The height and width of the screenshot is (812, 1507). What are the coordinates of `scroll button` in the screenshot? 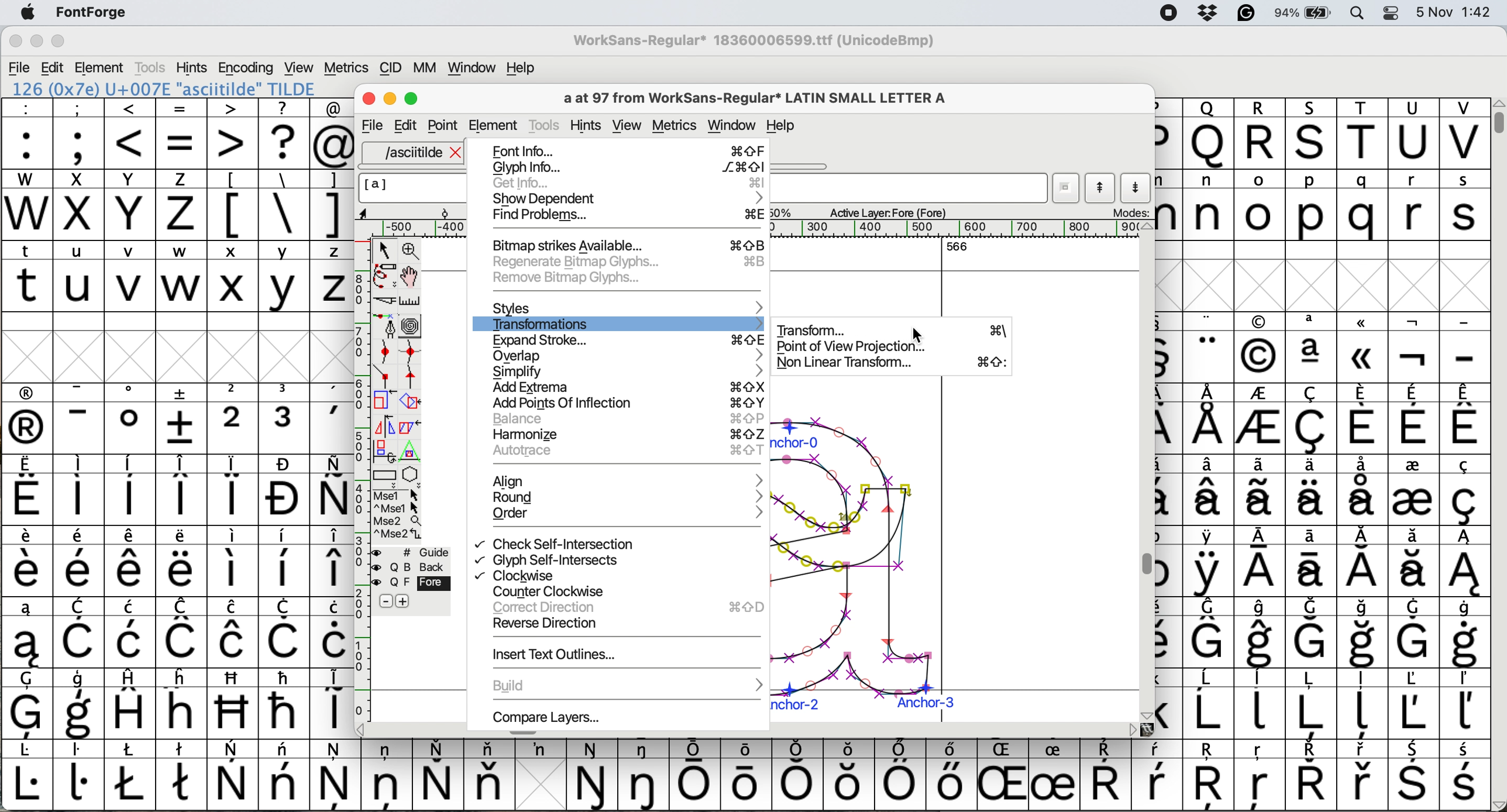 It's located at (1145, 714).